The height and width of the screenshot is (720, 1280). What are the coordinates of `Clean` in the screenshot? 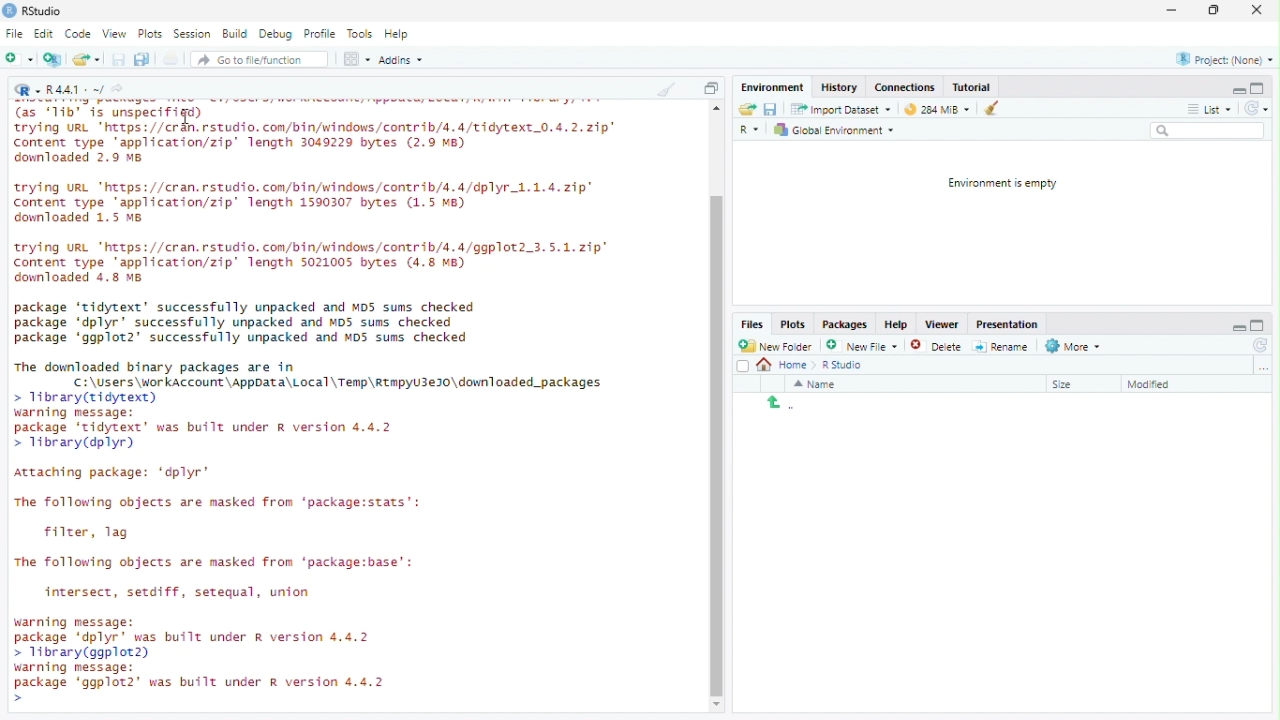 It's located at (987, 108).